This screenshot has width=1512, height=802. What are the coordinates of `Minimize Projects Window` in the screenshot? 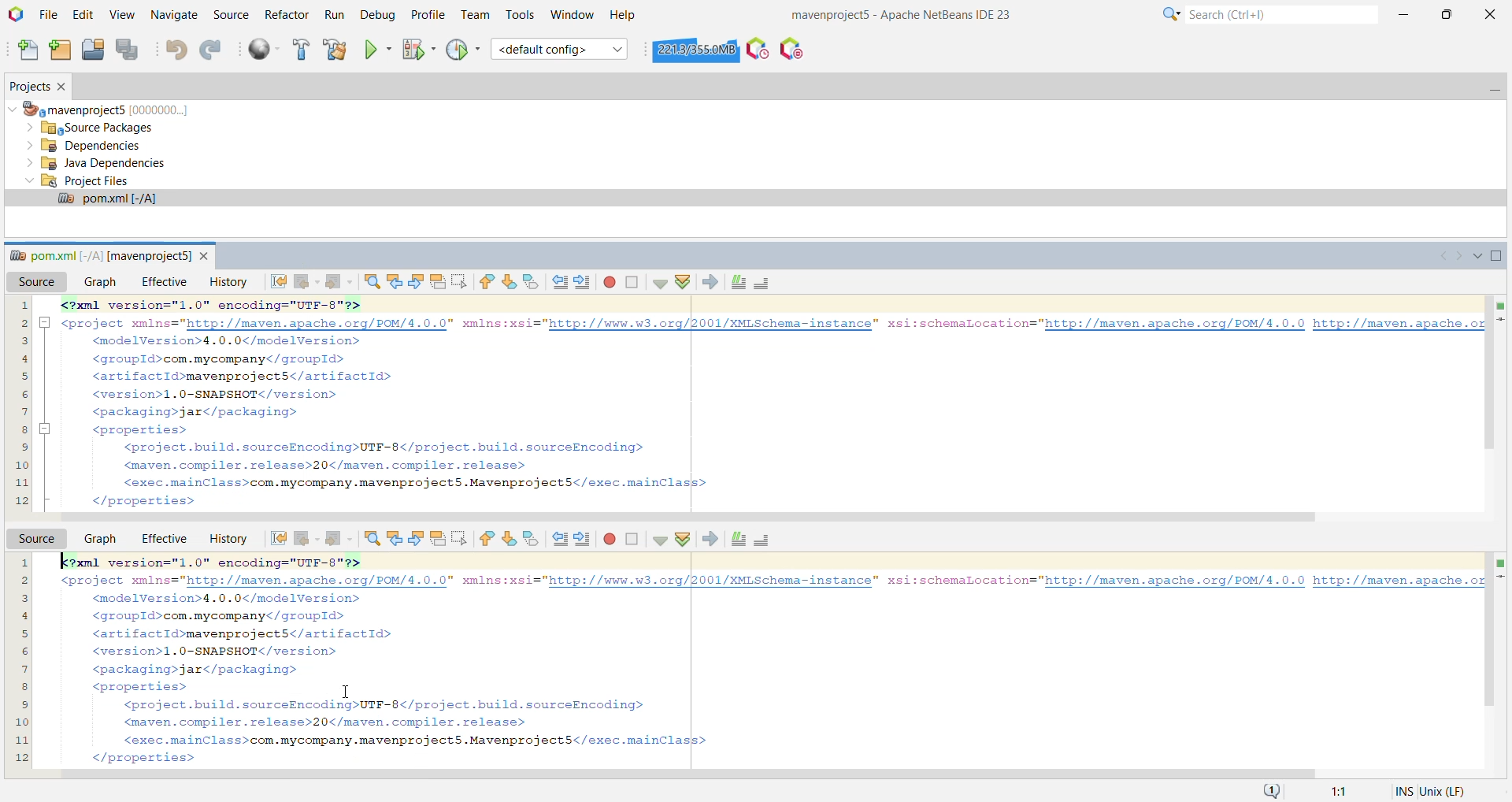 It's located at (1492, 87).